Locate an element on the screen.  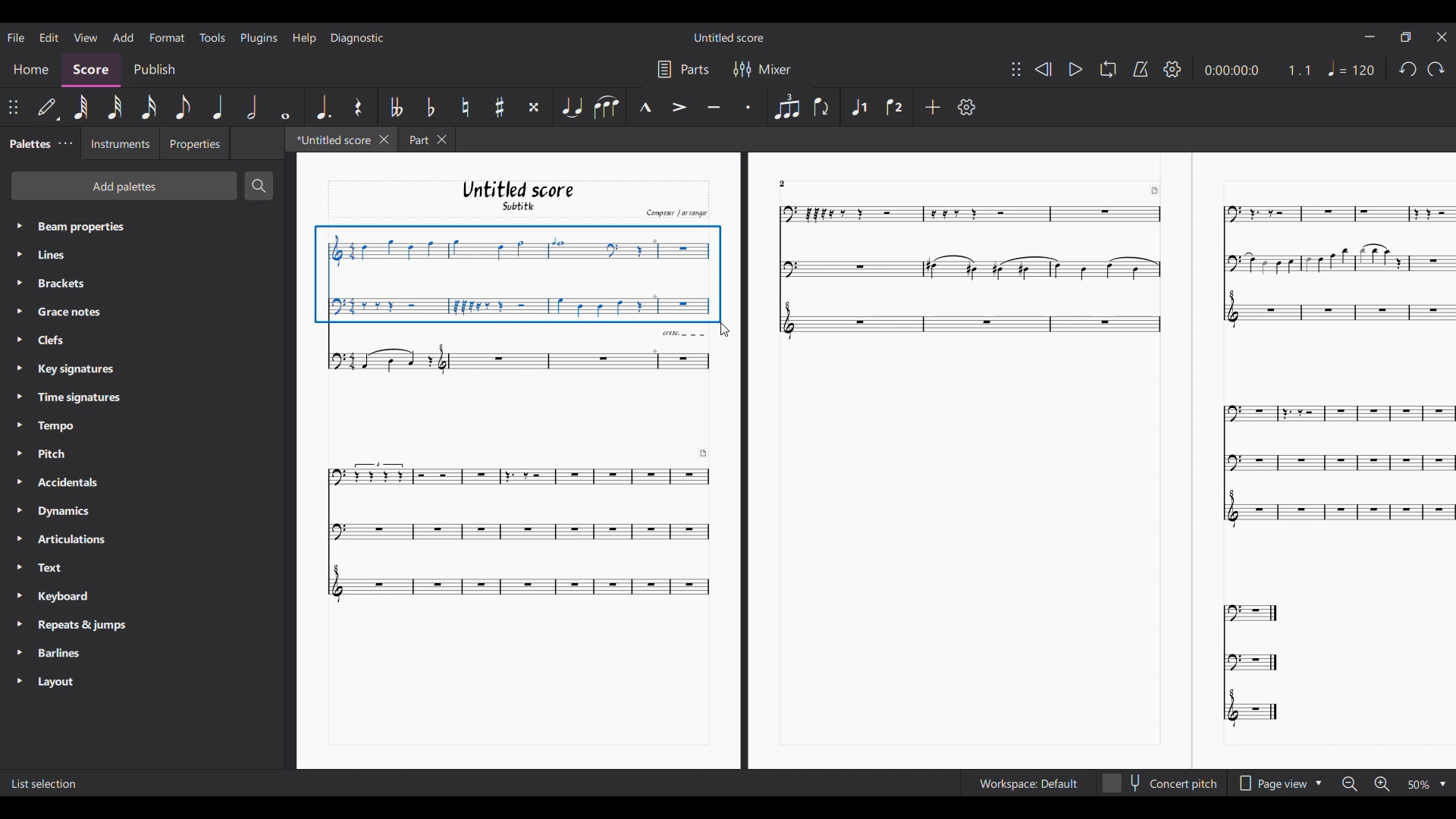
 is located at coordinates (17, 568).